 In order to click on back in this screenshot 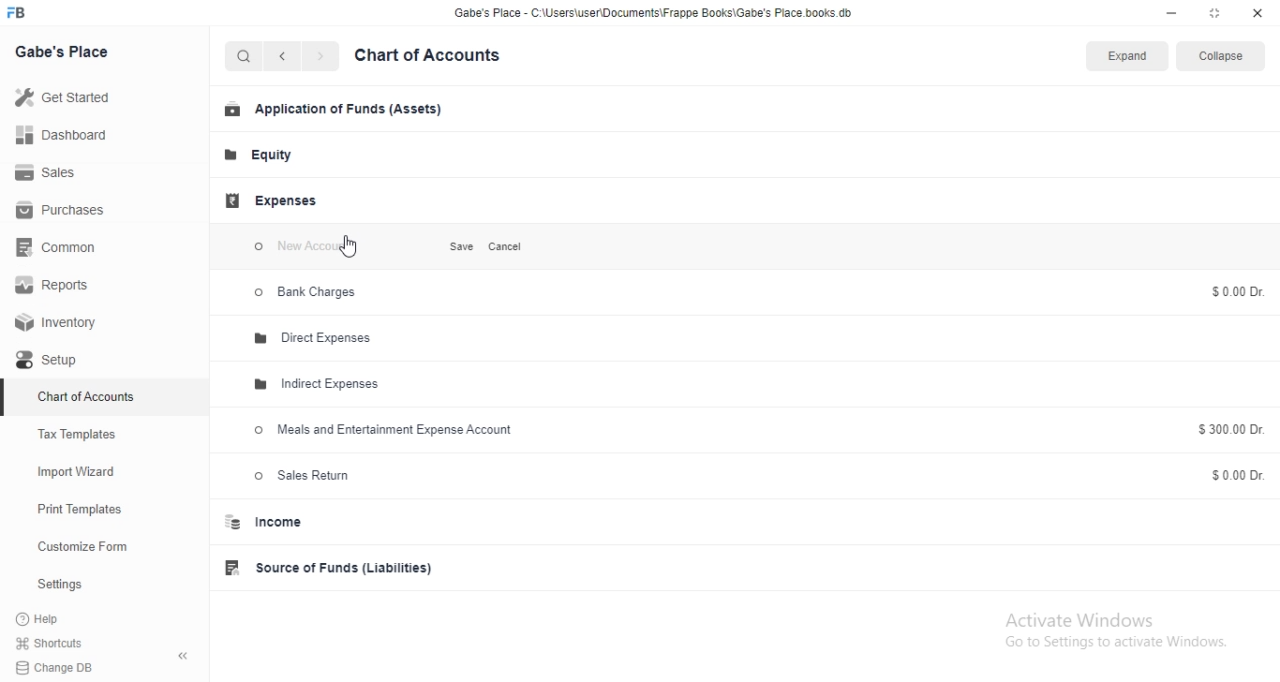, I will do `click(287, 59)`.